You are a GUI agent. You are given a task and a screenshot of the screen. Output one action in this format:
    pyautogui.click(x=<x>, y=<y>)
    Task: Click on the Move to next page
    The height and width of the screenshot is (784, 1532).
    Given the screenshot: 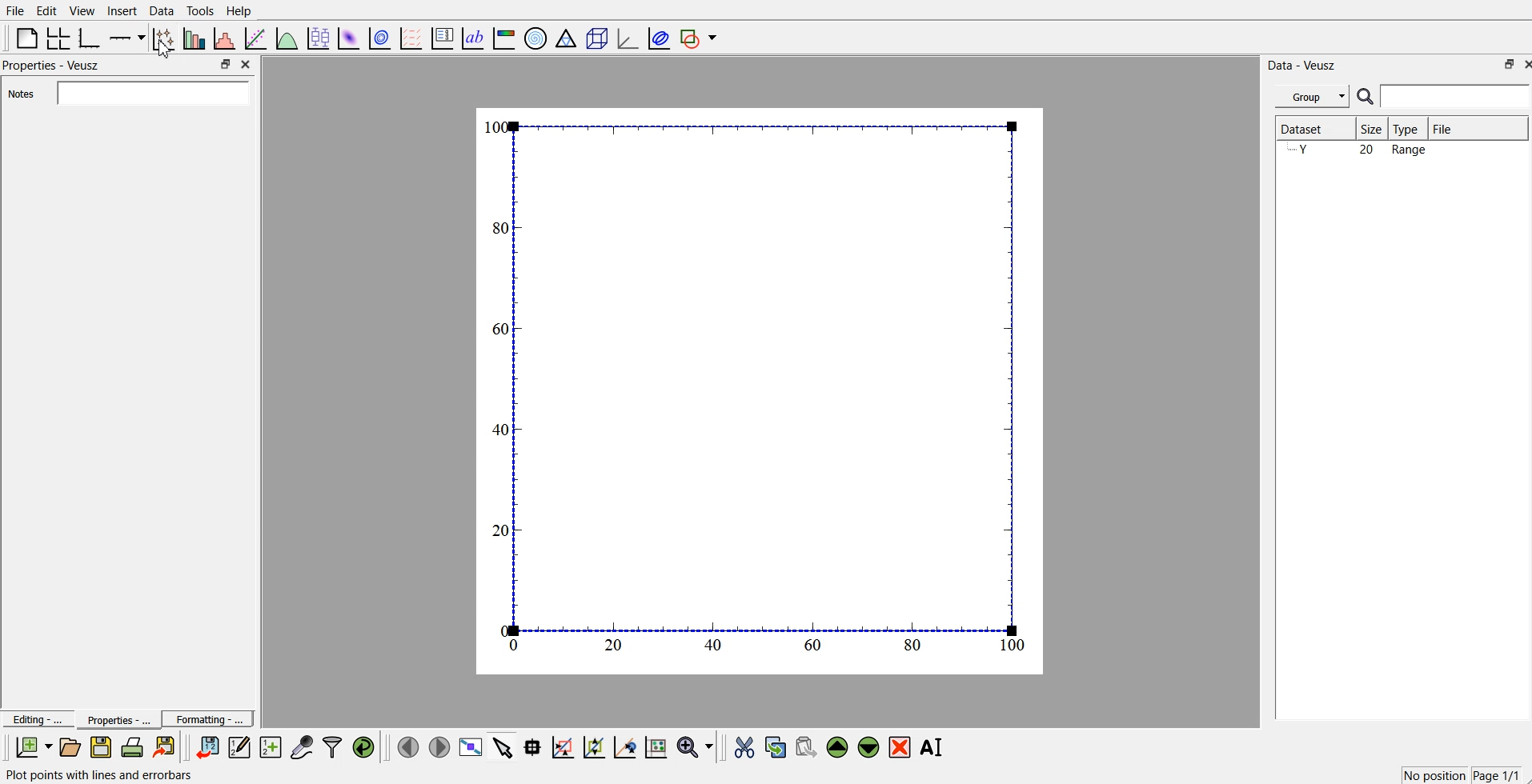 What is the action you would take?
    pyautogui.click(x=439, y=746)
    